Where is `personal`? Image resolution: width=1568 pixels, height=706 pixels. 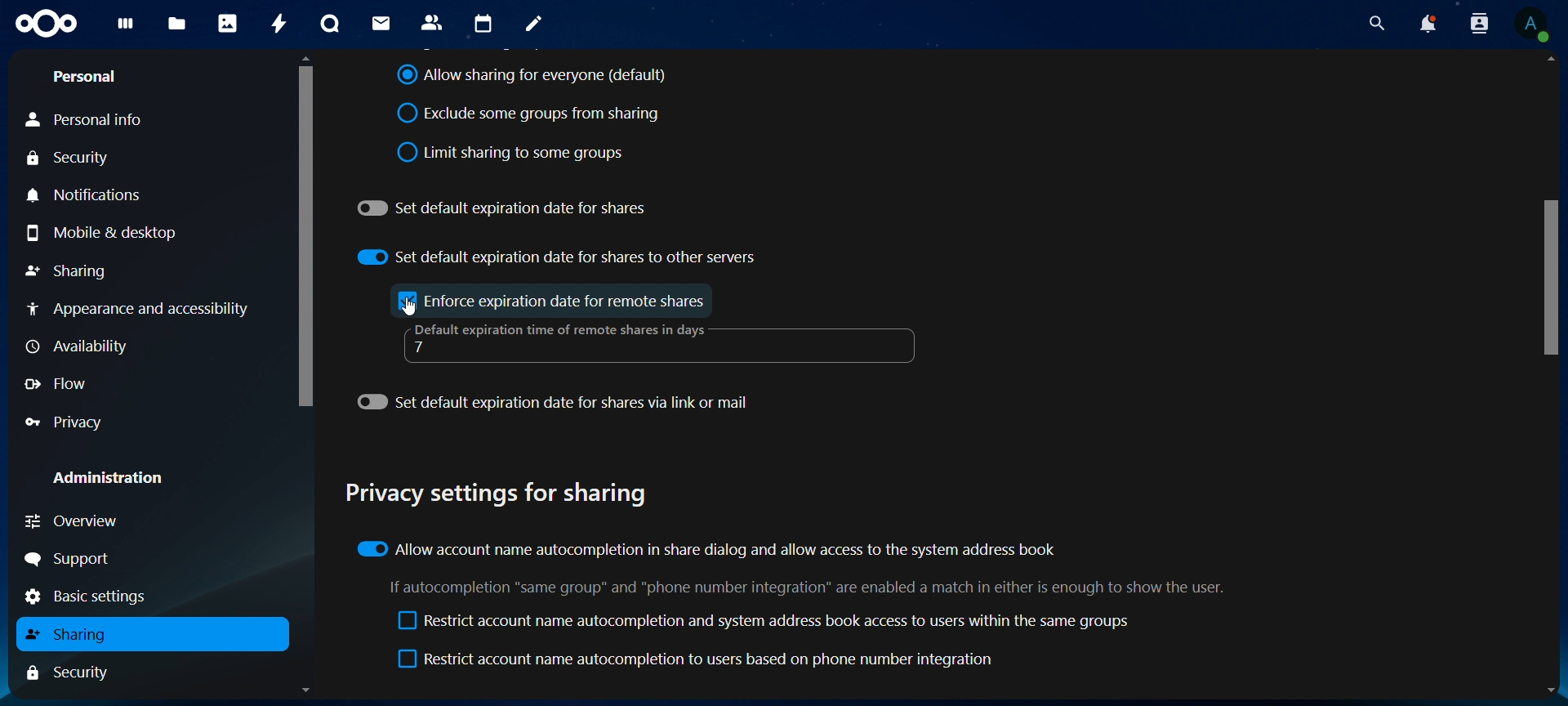
personal is located at coordinates (90, 77).